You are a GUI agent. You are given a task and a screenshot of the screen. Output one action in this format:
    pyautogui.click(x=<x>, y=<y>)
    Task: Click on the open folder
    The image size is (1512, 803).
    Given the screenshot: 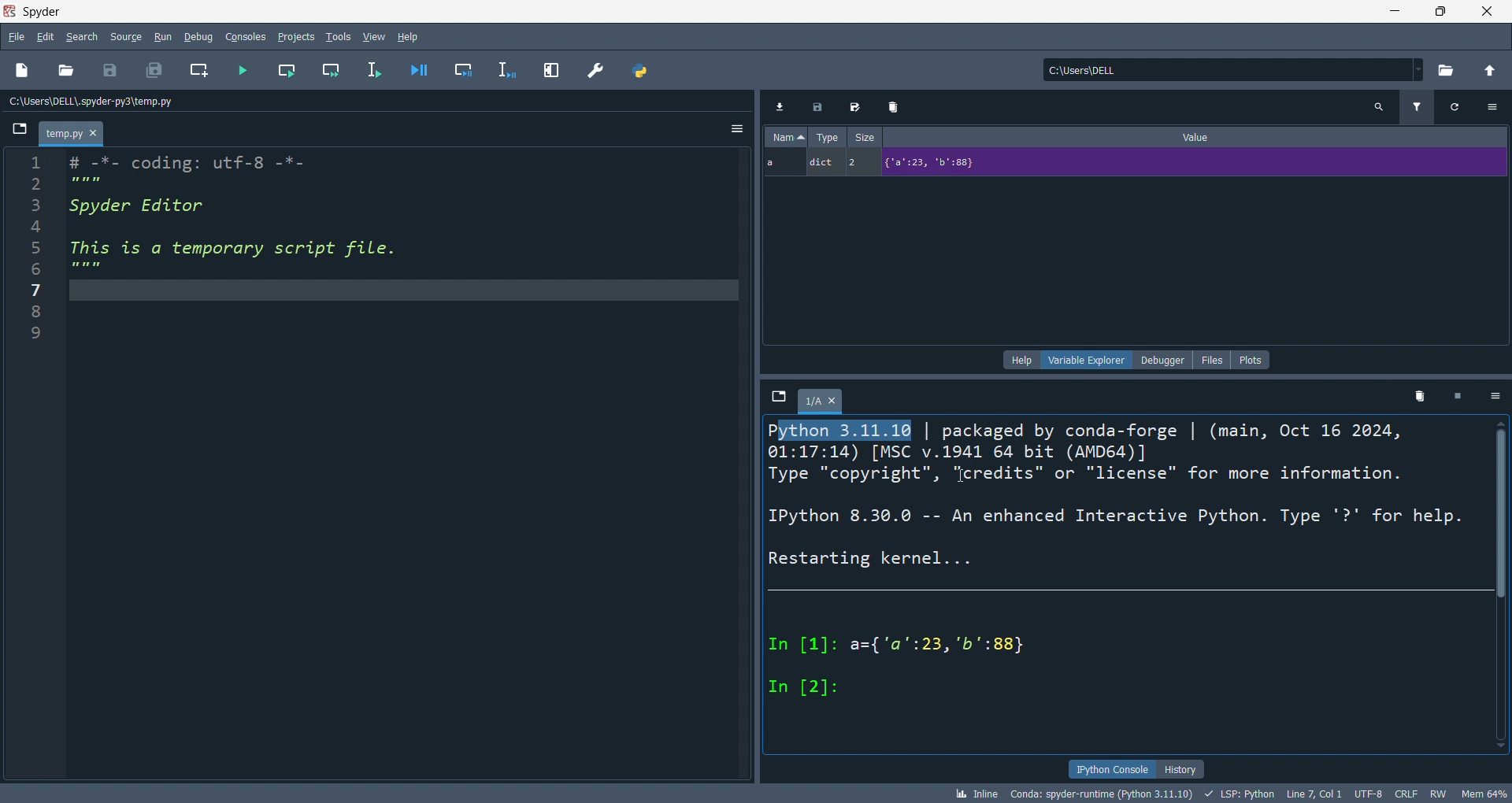 What is the action you would take?
    pyautogui.click(x=65, y=72)
    